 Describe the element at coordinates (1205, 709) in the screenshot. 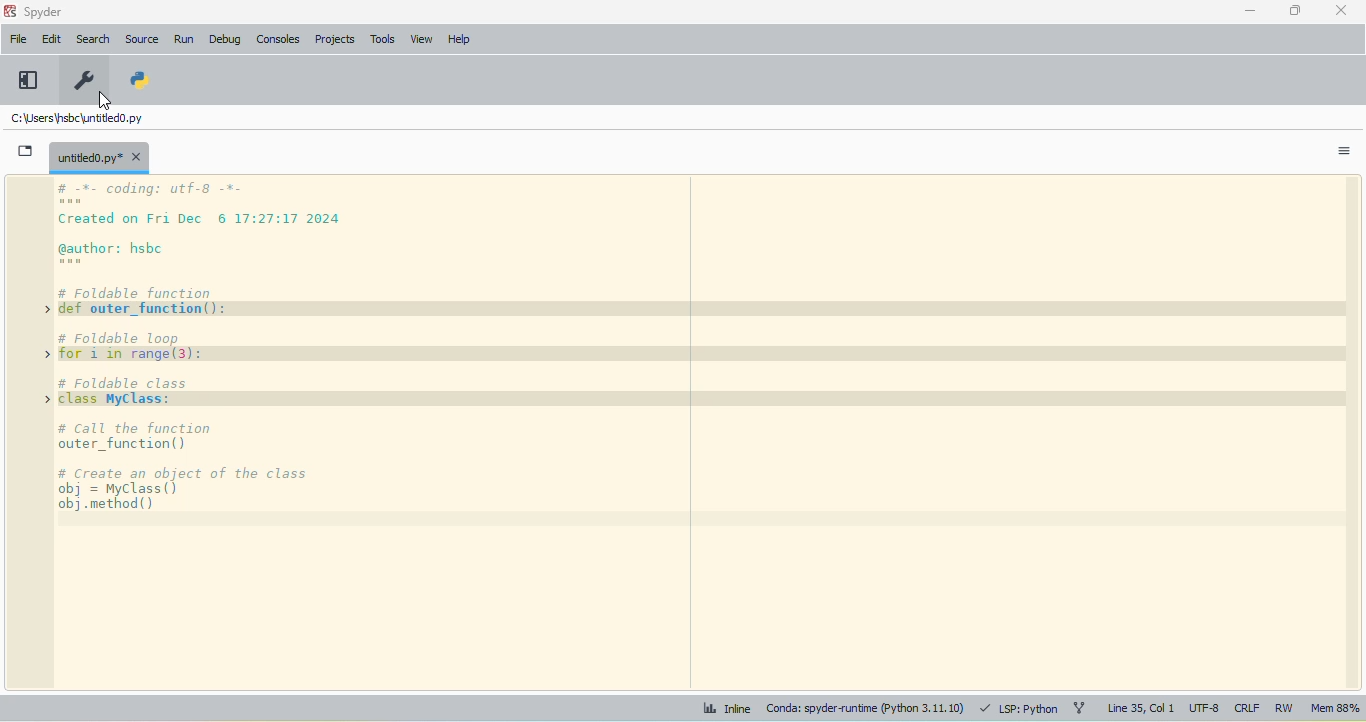

I see `UTF-8` at that location.